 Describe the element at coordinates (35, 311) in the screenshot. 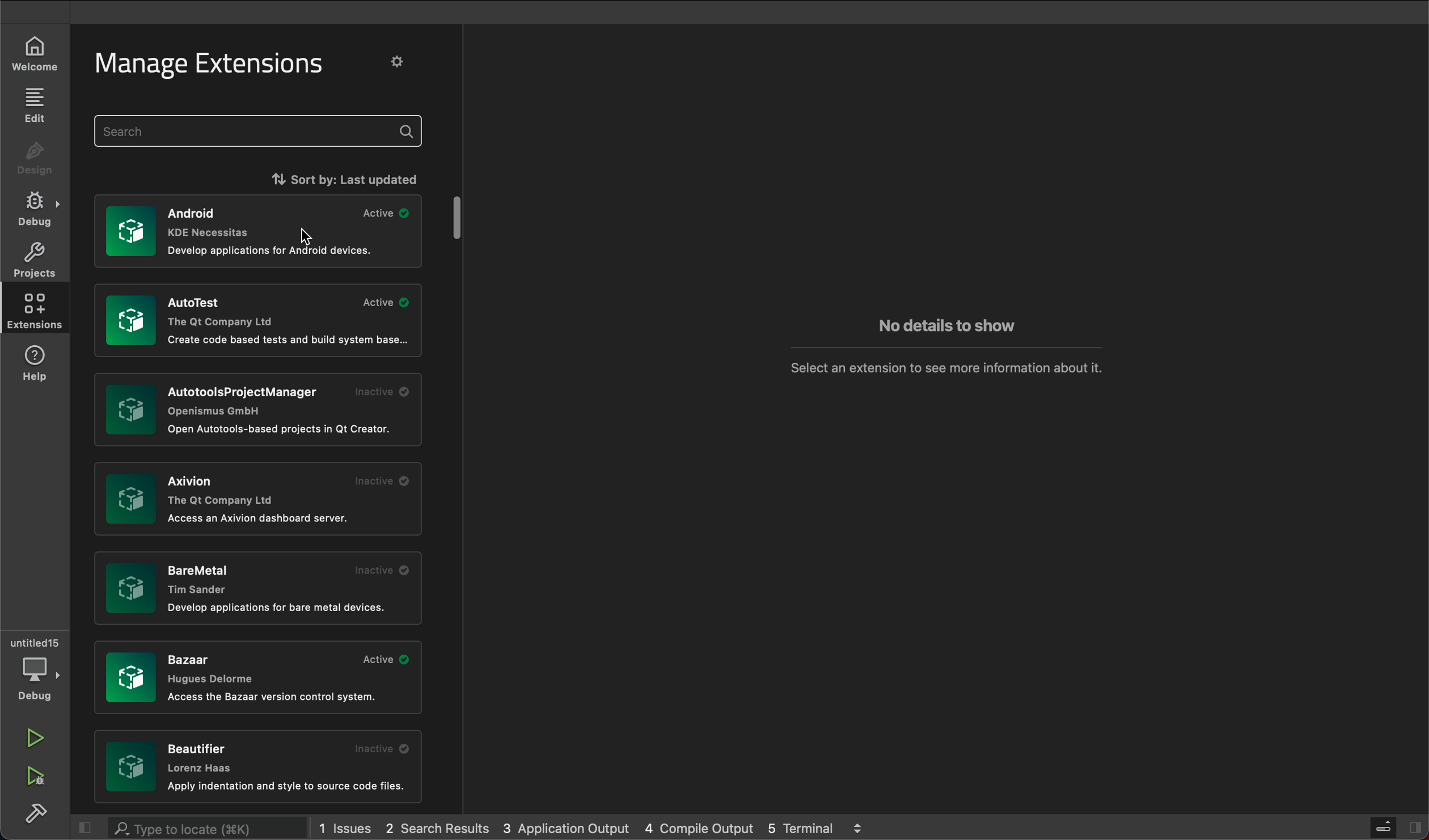

I see `extensions` at that location.